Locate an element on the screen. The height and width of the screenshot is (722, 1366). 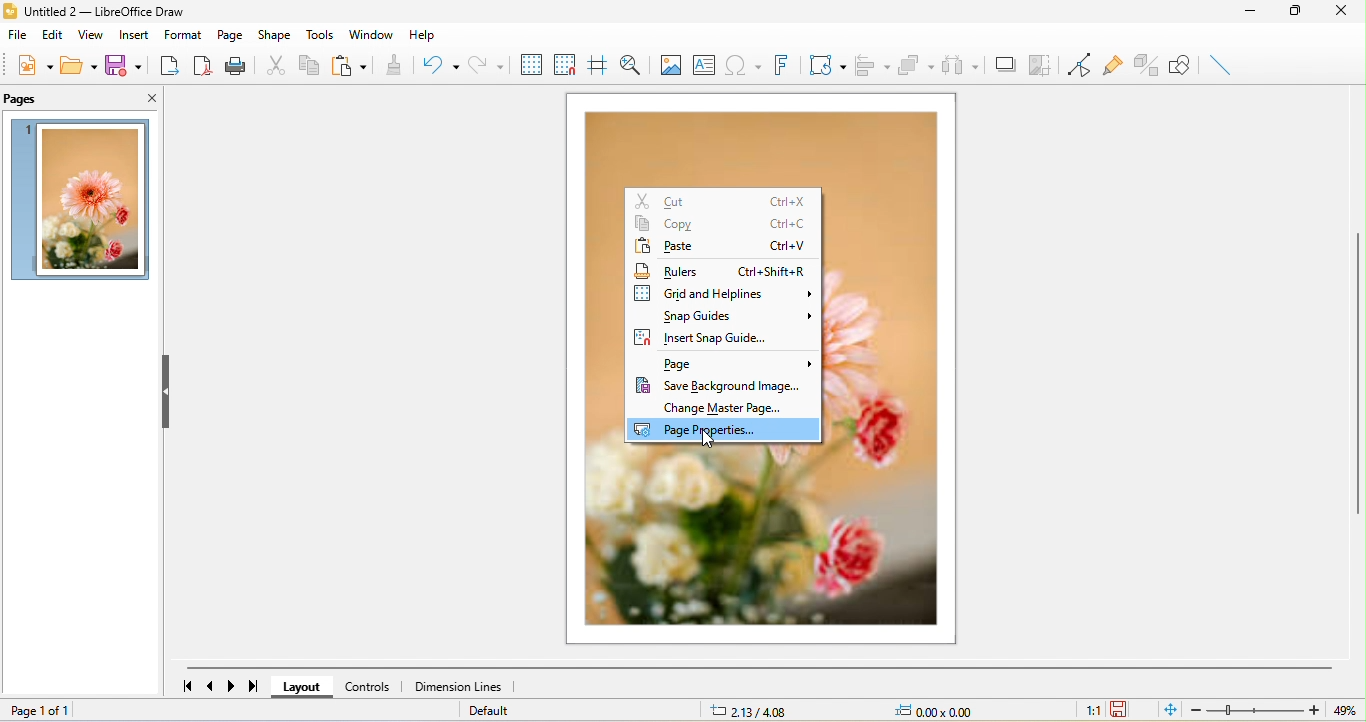
insert snap guide is located at coordinates (718, 334).